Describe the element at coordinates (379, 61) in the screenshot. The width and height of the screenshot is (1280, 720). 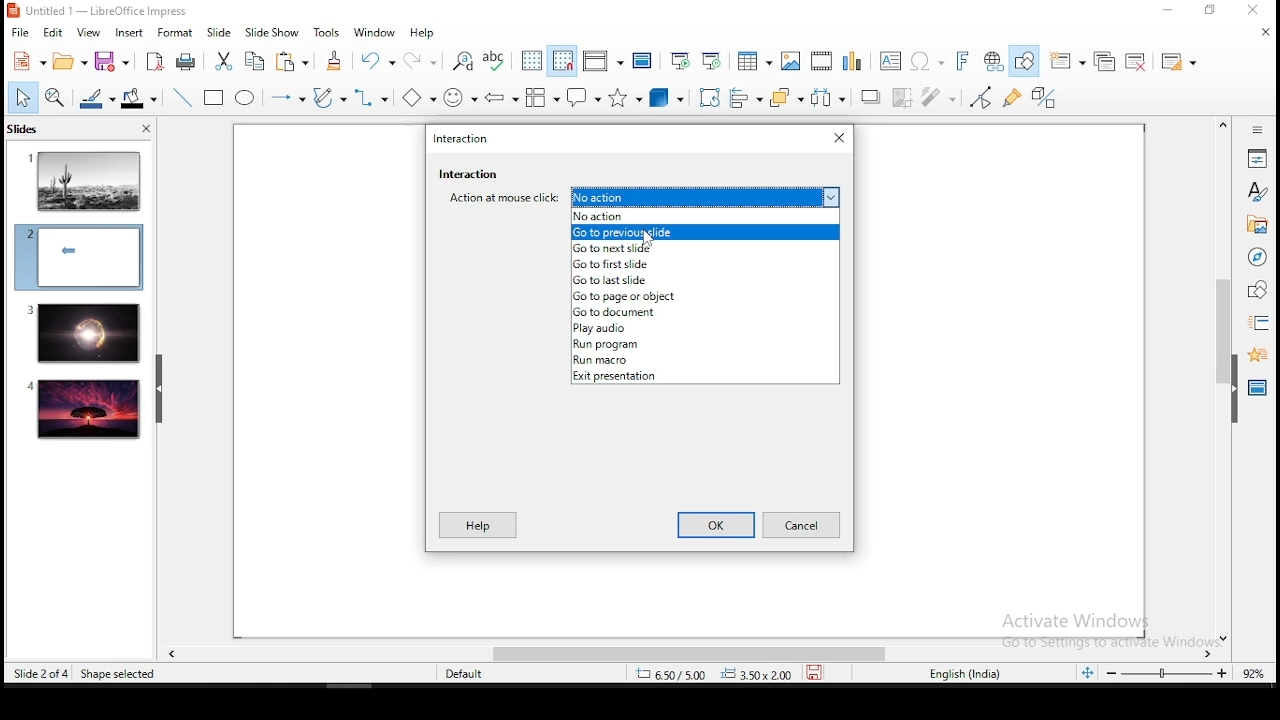
I see `undo` at that location.